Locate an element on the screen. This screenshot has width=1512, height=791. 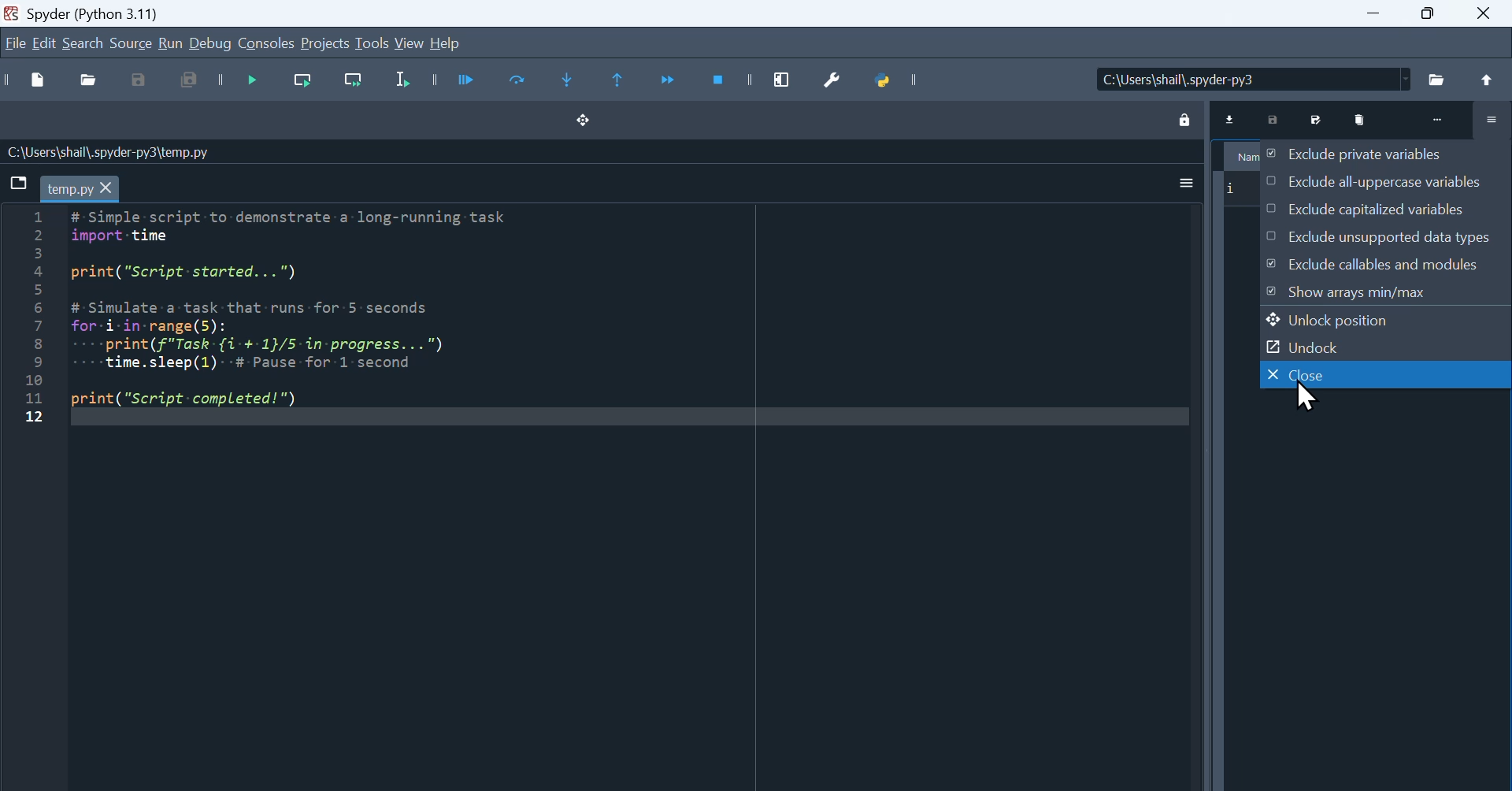
Drag handle is located at coordinates (584, 121).